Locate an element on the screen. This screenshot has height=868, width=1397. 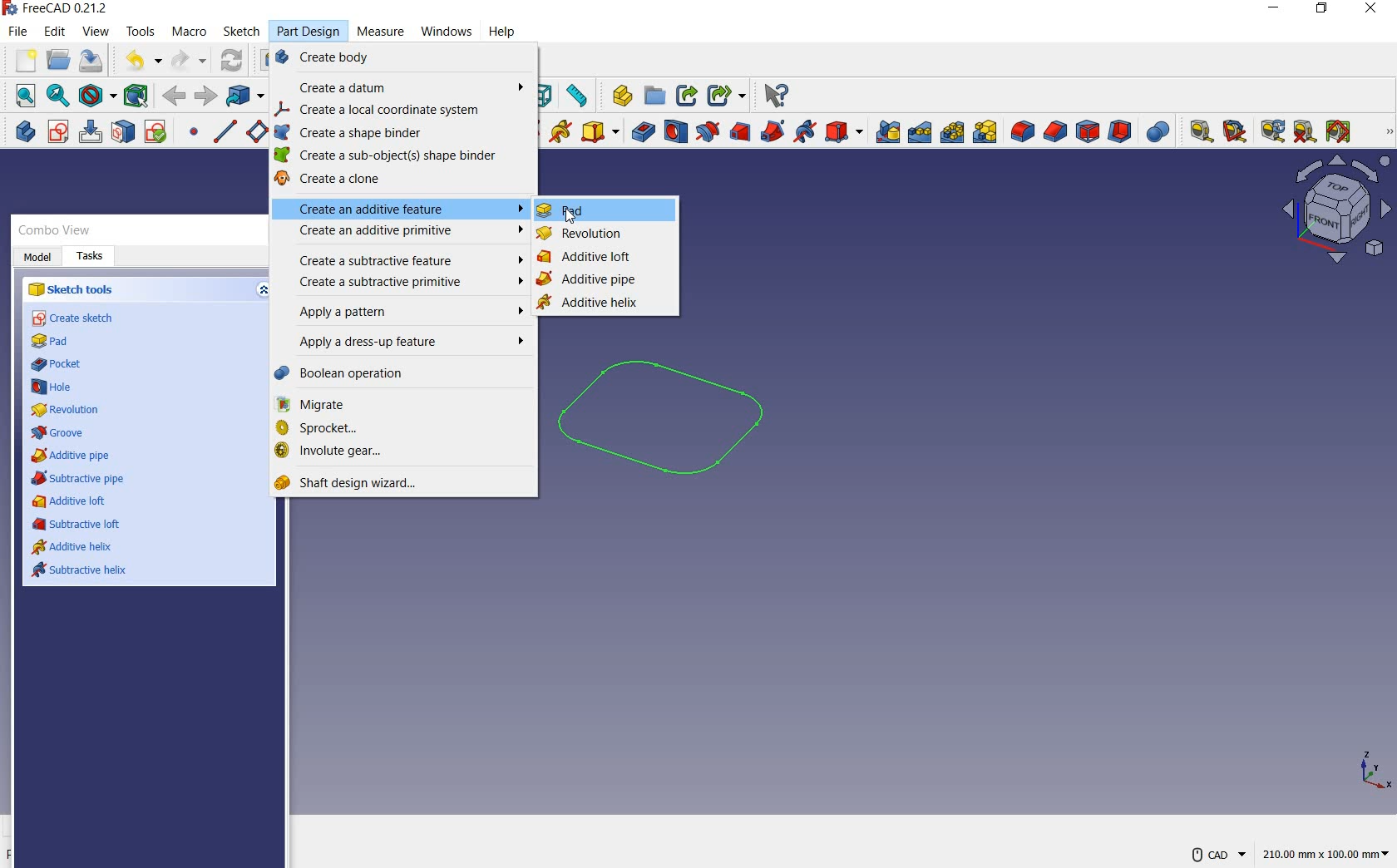
pad is located at coordinates (564, 211).